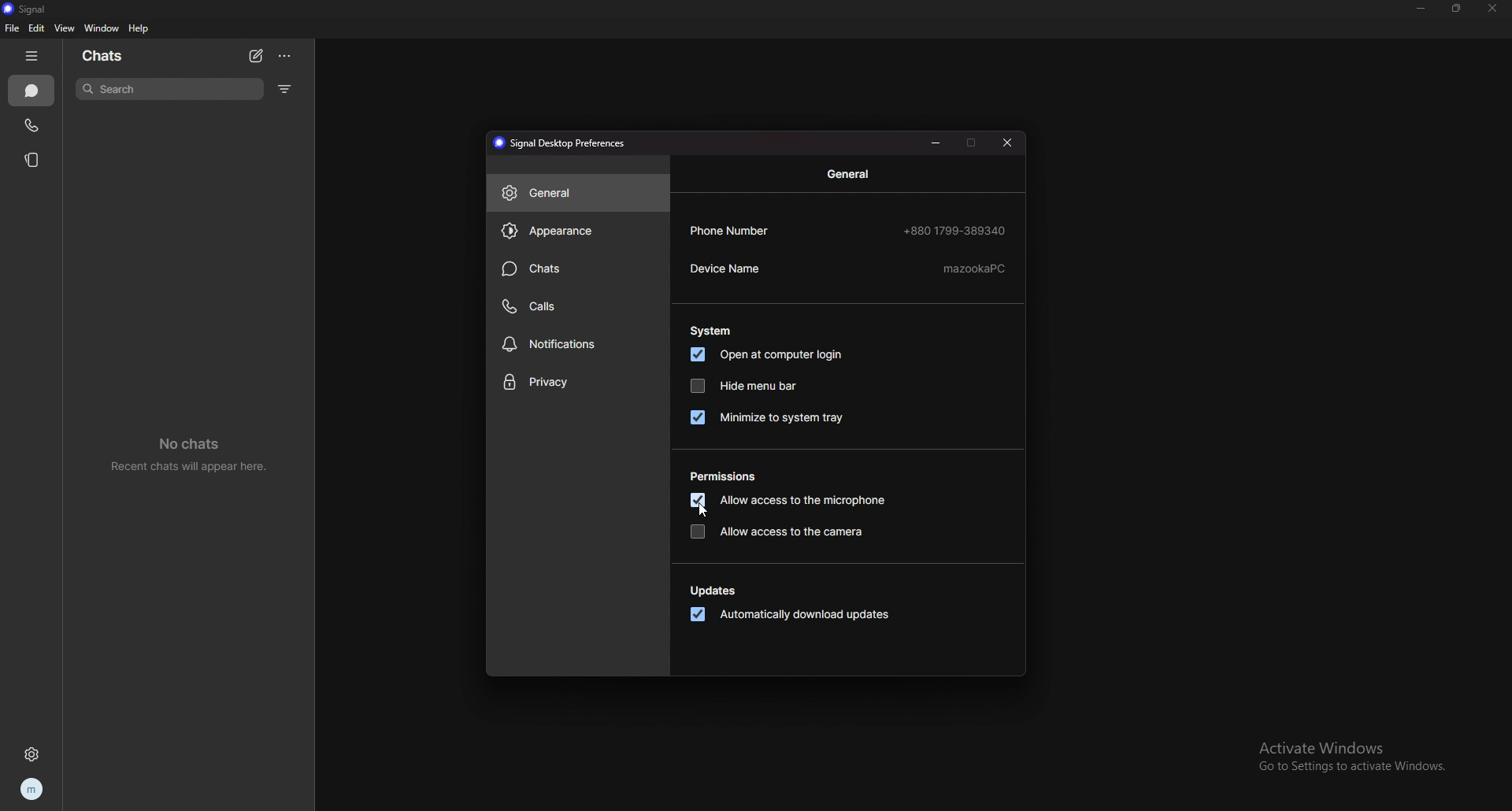 This screenshot has height=811, width=1512. I want to click on minimize, so click(1421, 8).